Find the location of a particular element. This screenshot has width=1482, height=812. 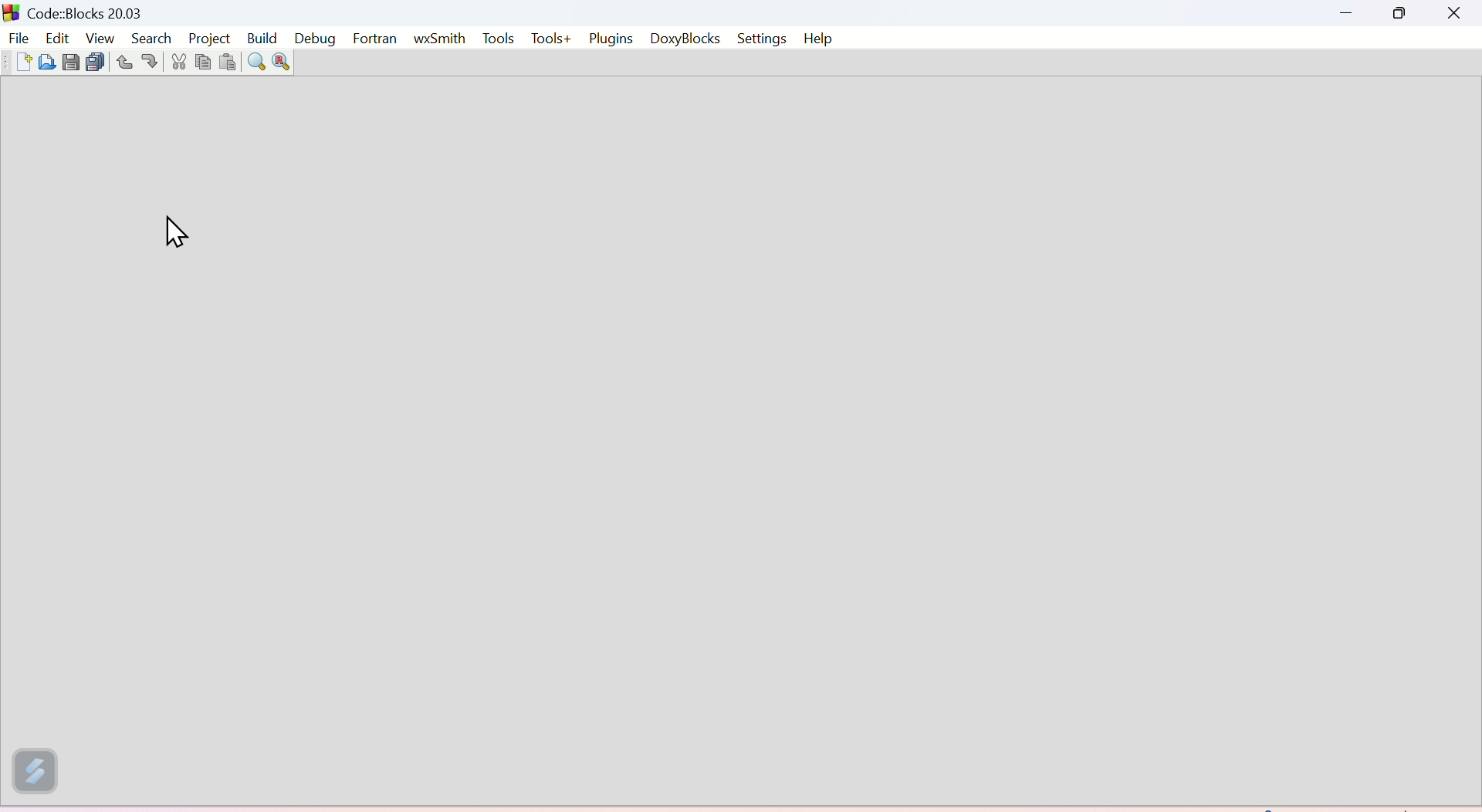

 is located at coordinates (47, 66).